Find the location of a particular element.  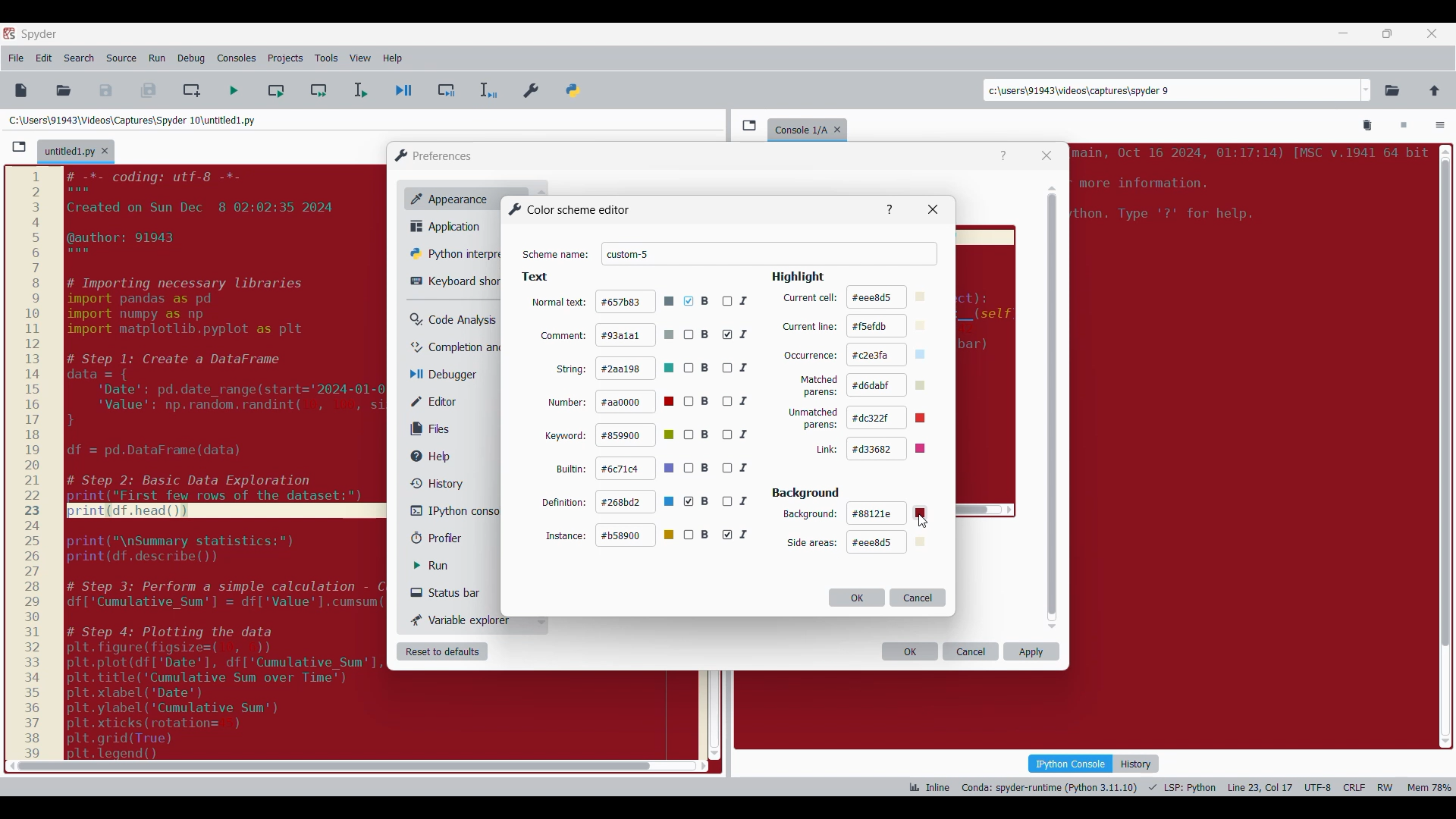

#859900 is located at coordinates (637, 435).